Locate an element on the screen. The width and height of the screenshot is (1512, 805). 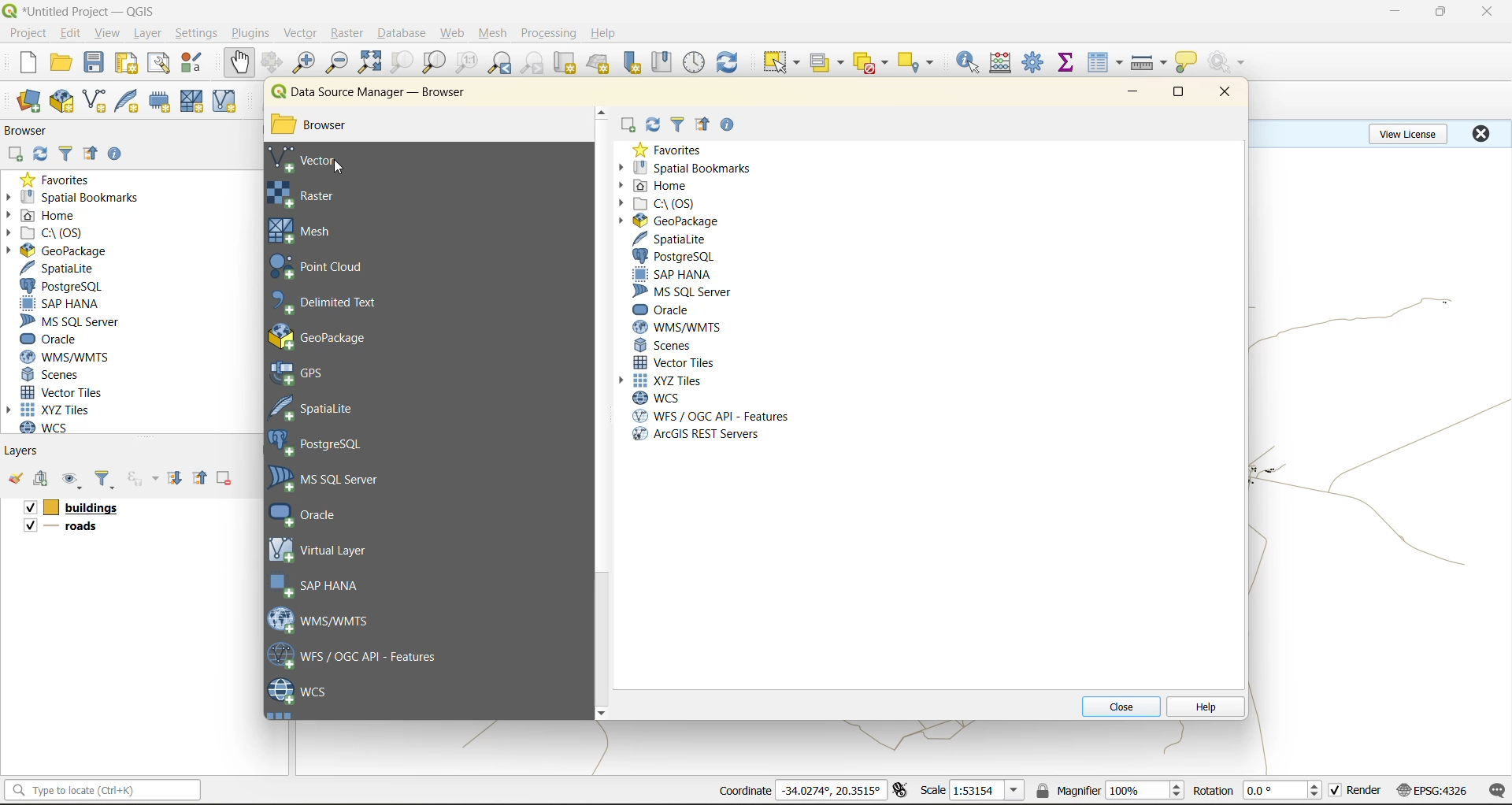
pan to selection is located at coordinates (272, 64).